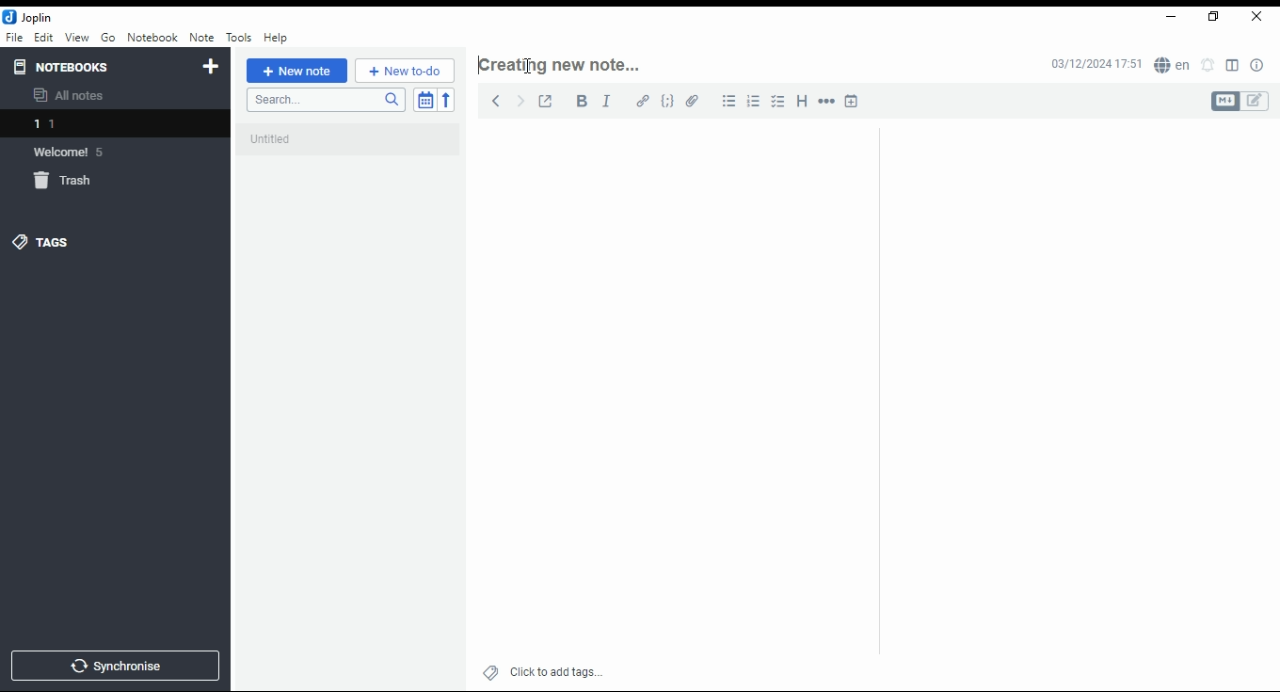 This screenshot has width=1280, height=692. Describe the element at coordinates (55, 242) in the screenshot. I see `tags` at that location.